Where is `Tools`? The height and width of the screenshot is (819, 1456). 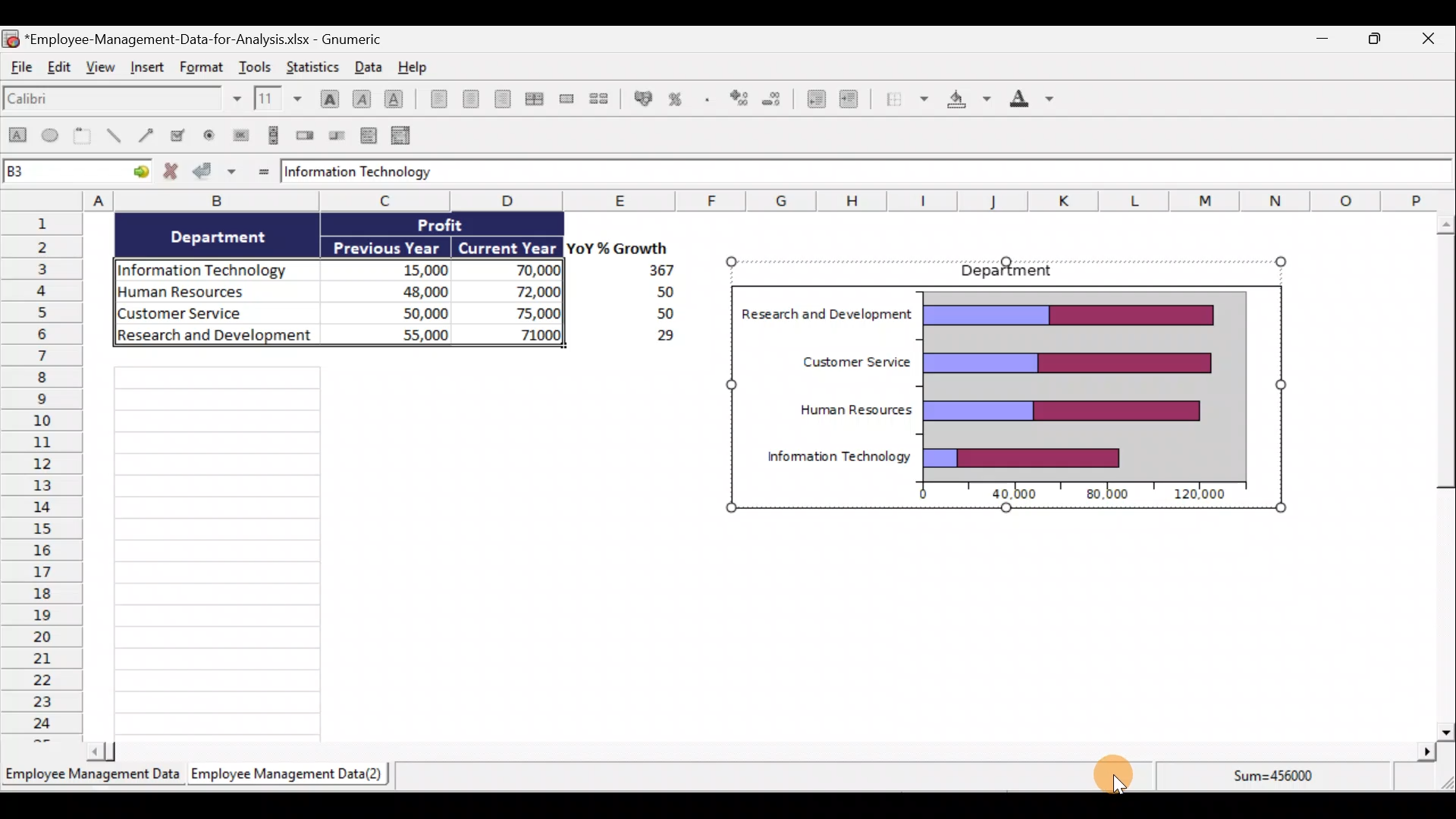
Tools is located at coordinates (259, 65).